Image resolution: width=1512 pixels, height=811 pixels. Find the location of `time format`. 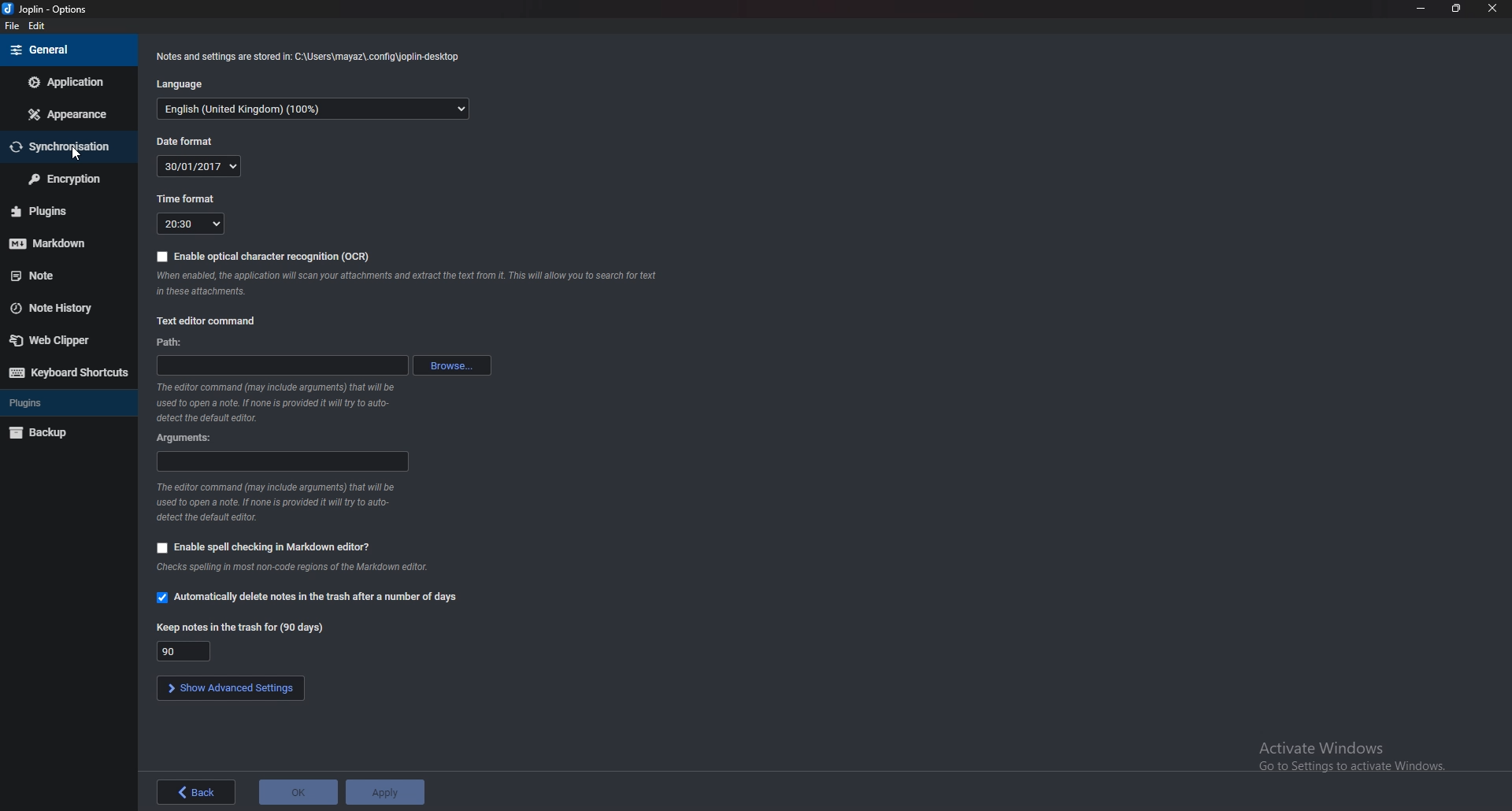

time format is located at coordinates (188, 198).